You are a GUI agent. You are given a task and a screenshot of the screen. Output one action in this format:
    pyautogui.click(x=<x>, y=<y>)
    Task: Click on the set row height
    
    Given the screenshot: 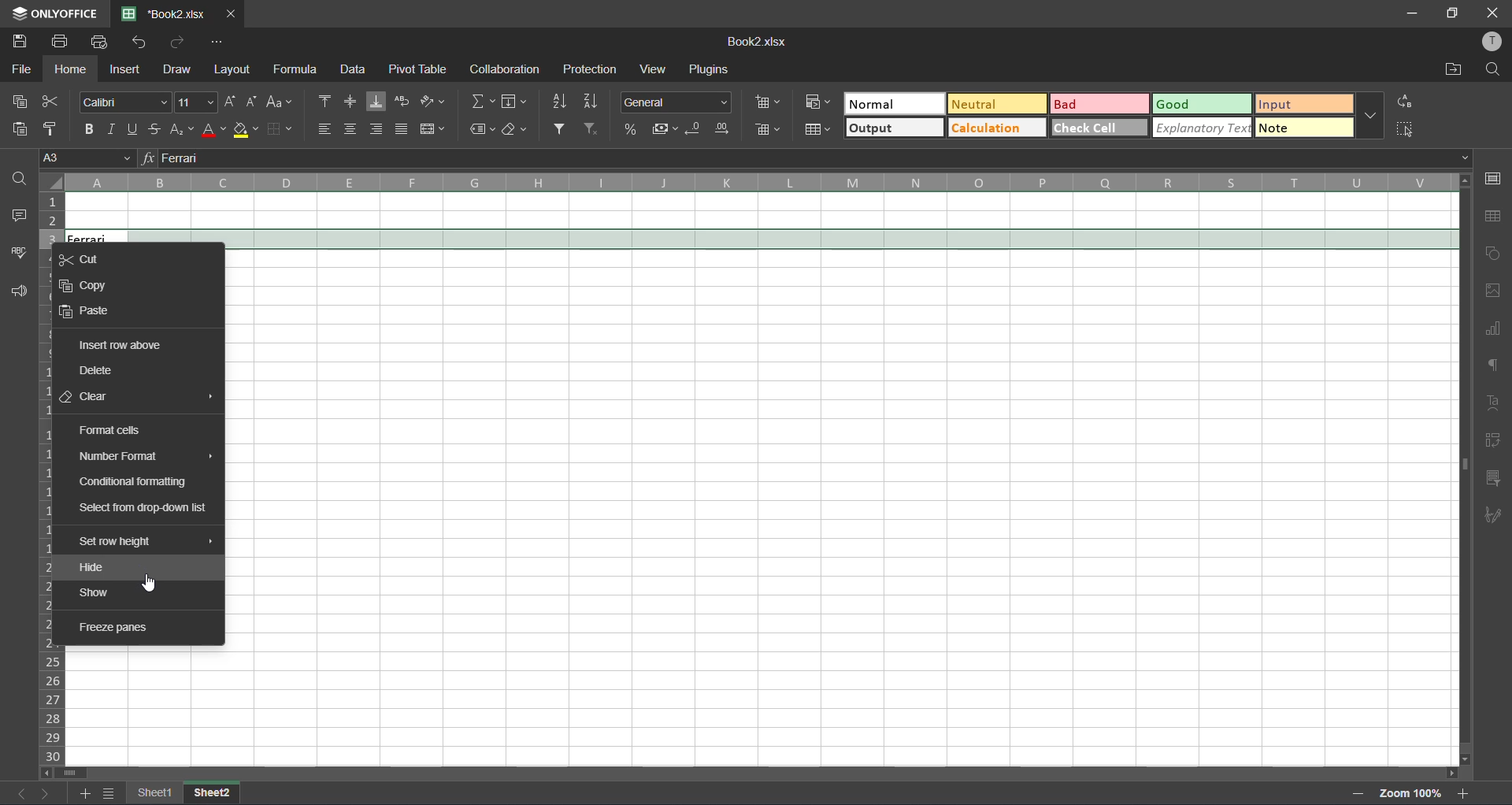 What is the action you would take?
    pyautogui.click(x=120, y=543)
    